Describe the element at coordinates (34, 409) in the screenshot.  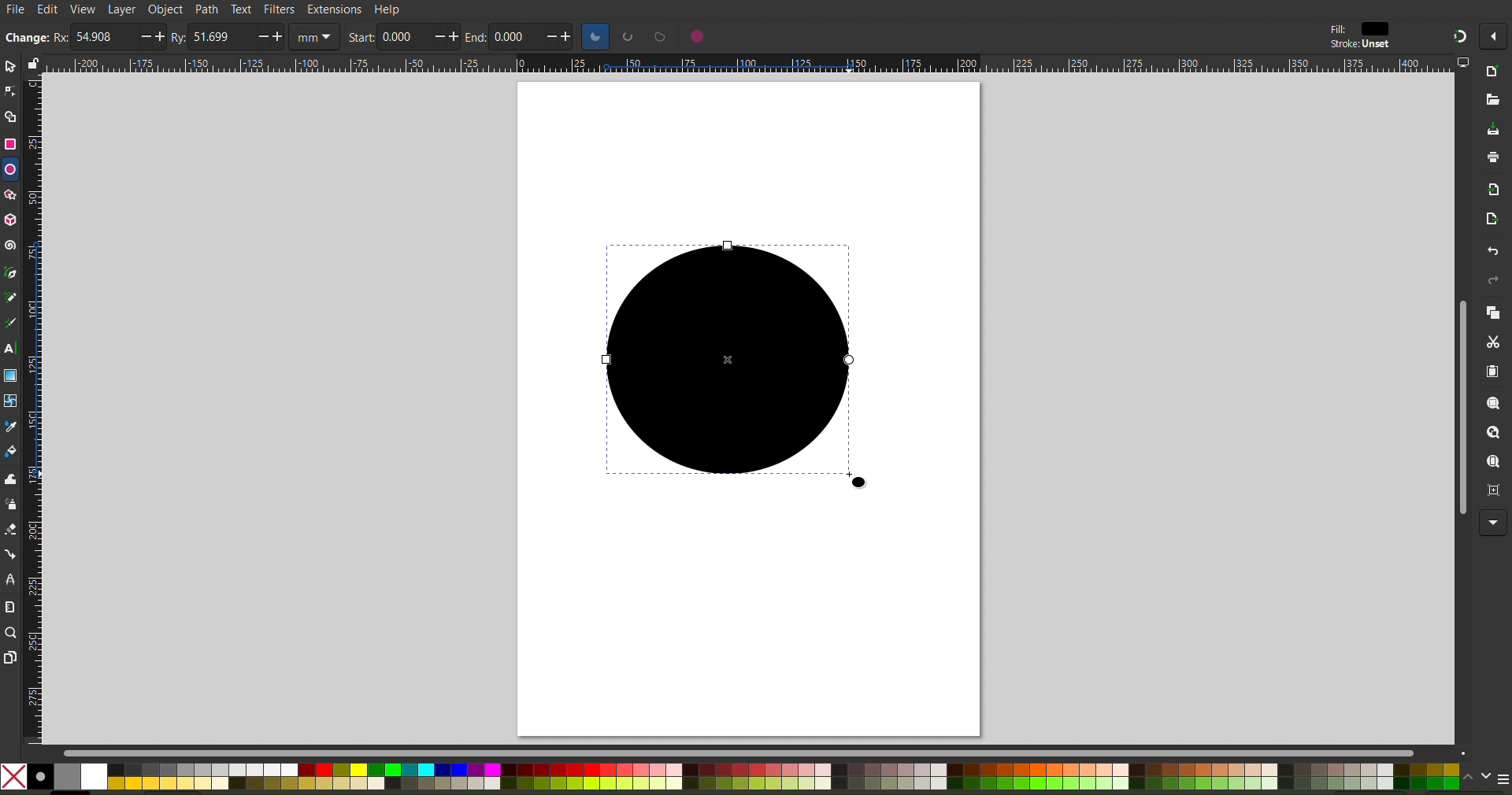
I see `Vertical Ruler` at that location.